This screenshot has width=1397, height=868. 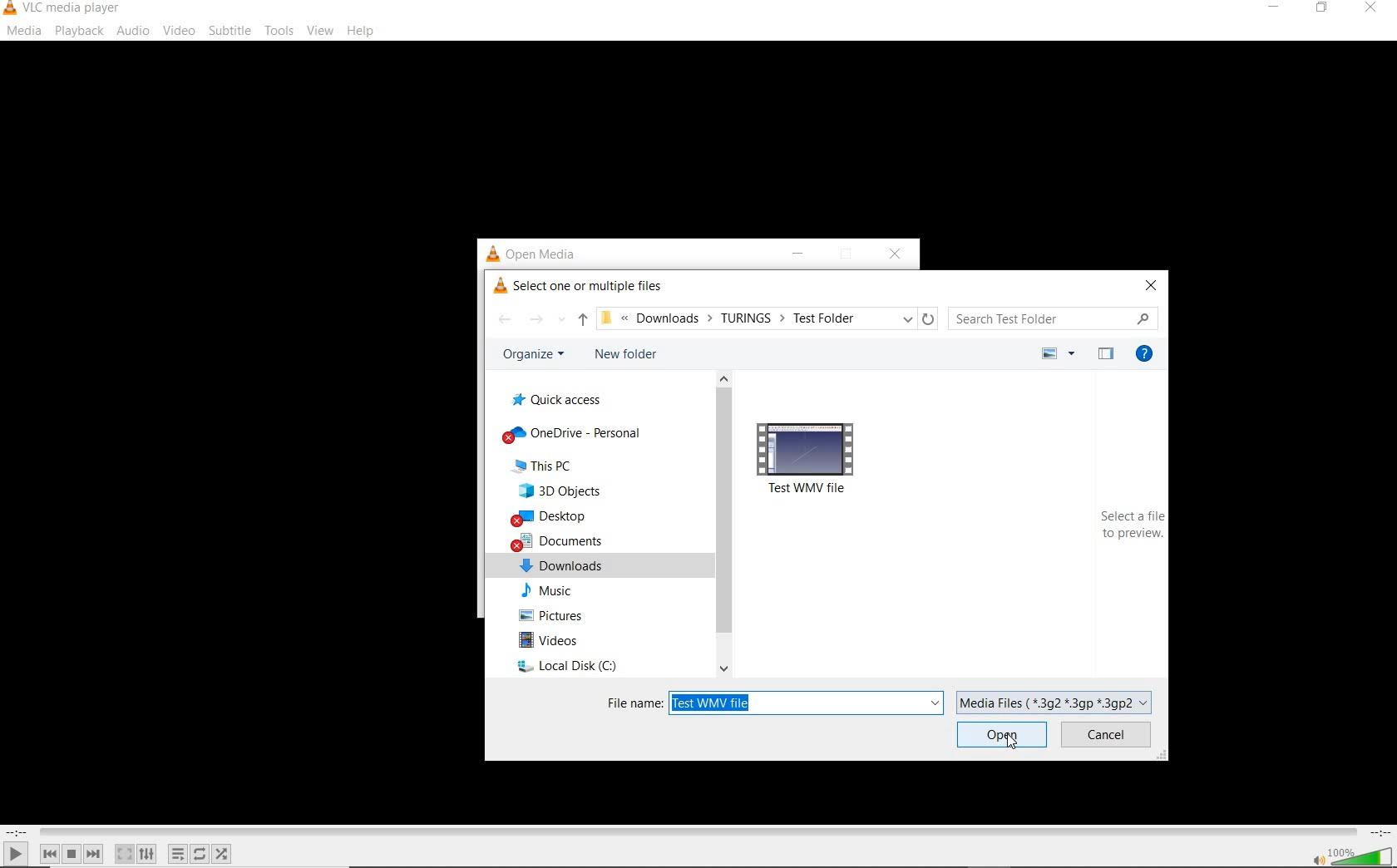 What do you see at coordinates (49, 854) in the screenshot?
I see `previous media` at bounding box center [49, 854].